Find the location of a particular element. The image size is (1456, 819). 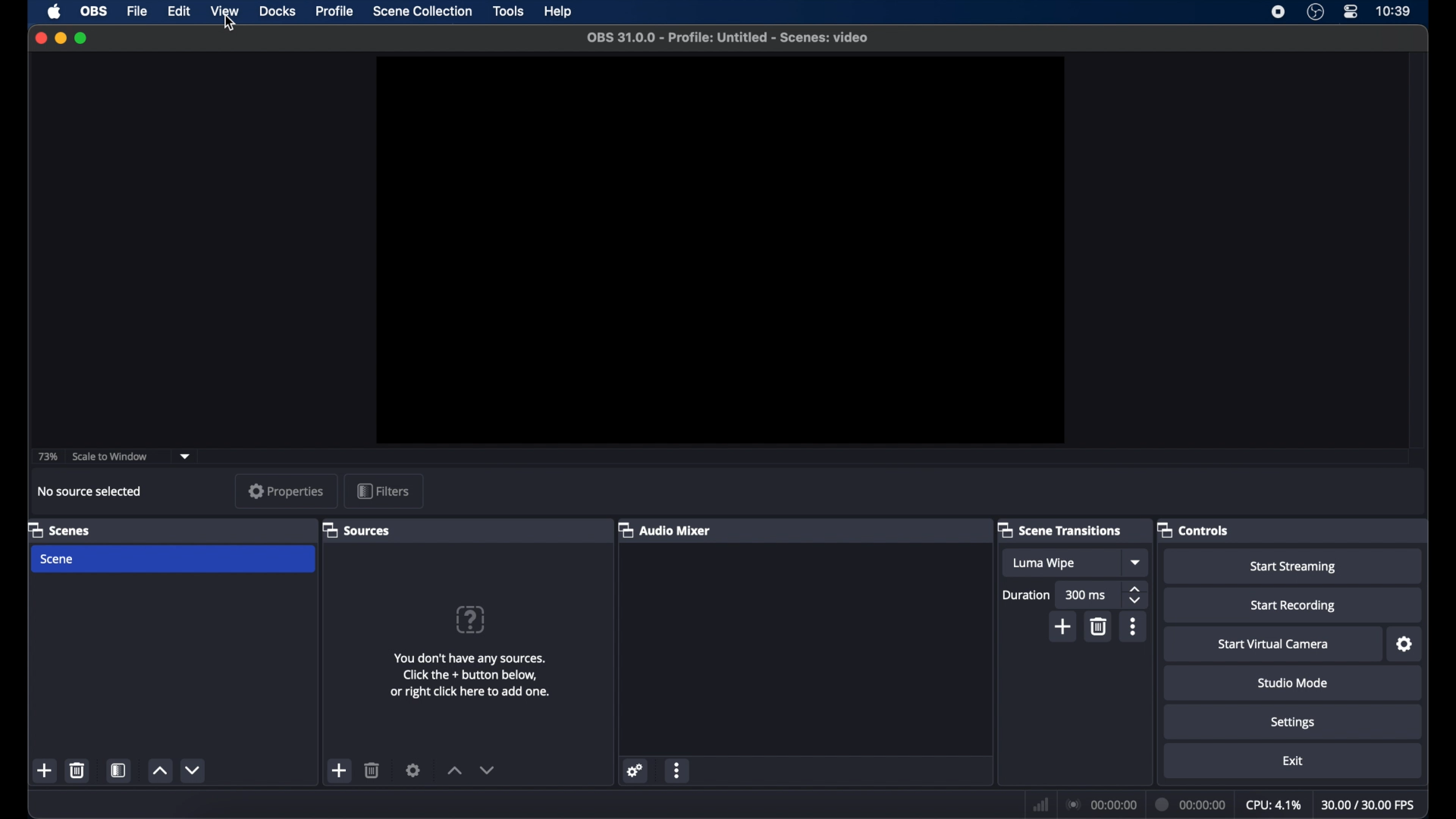

help is located at coordinates (557, 12).